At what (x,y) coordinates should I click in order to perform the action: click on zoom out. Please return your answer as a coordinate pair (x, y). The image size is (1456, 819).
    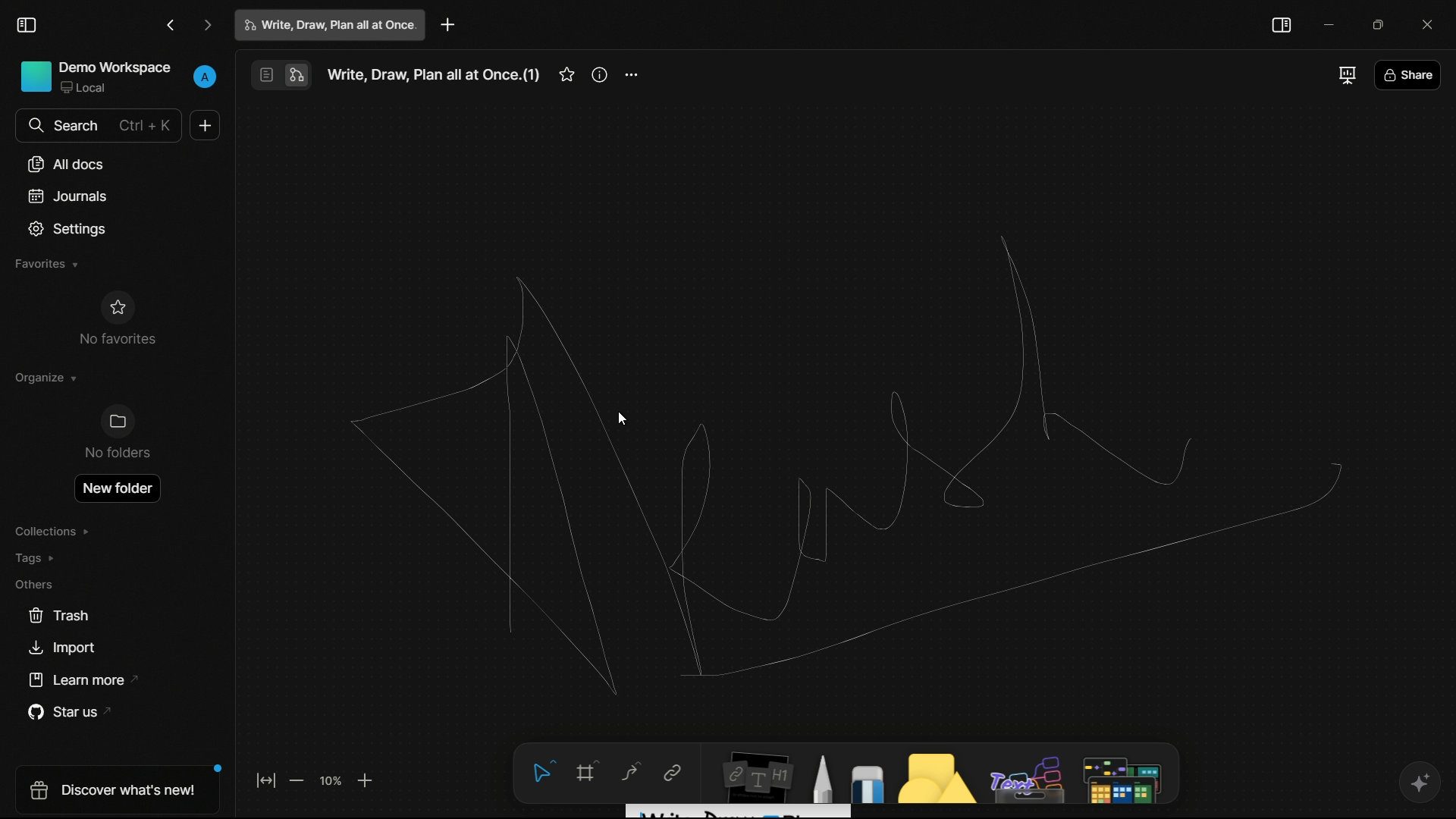
    Looking at the image, I should click on (297, 780).